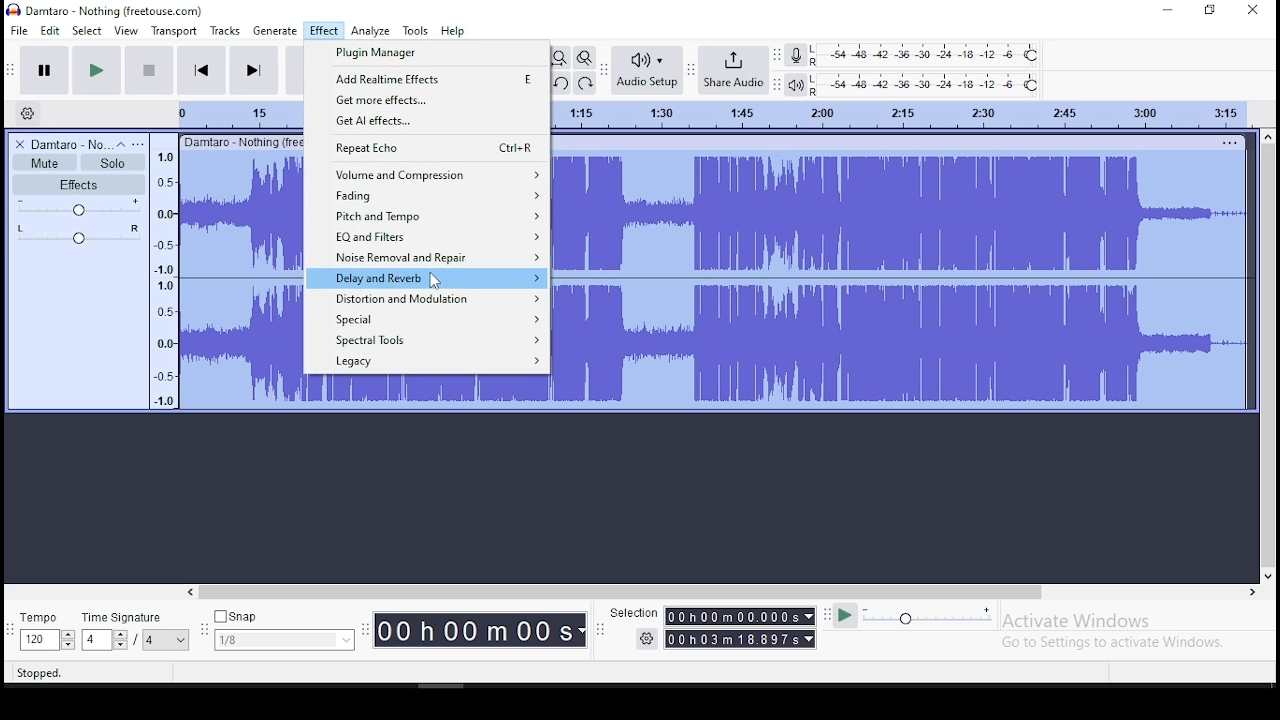  I want to click on Damtaro - No, so click(71, 143).